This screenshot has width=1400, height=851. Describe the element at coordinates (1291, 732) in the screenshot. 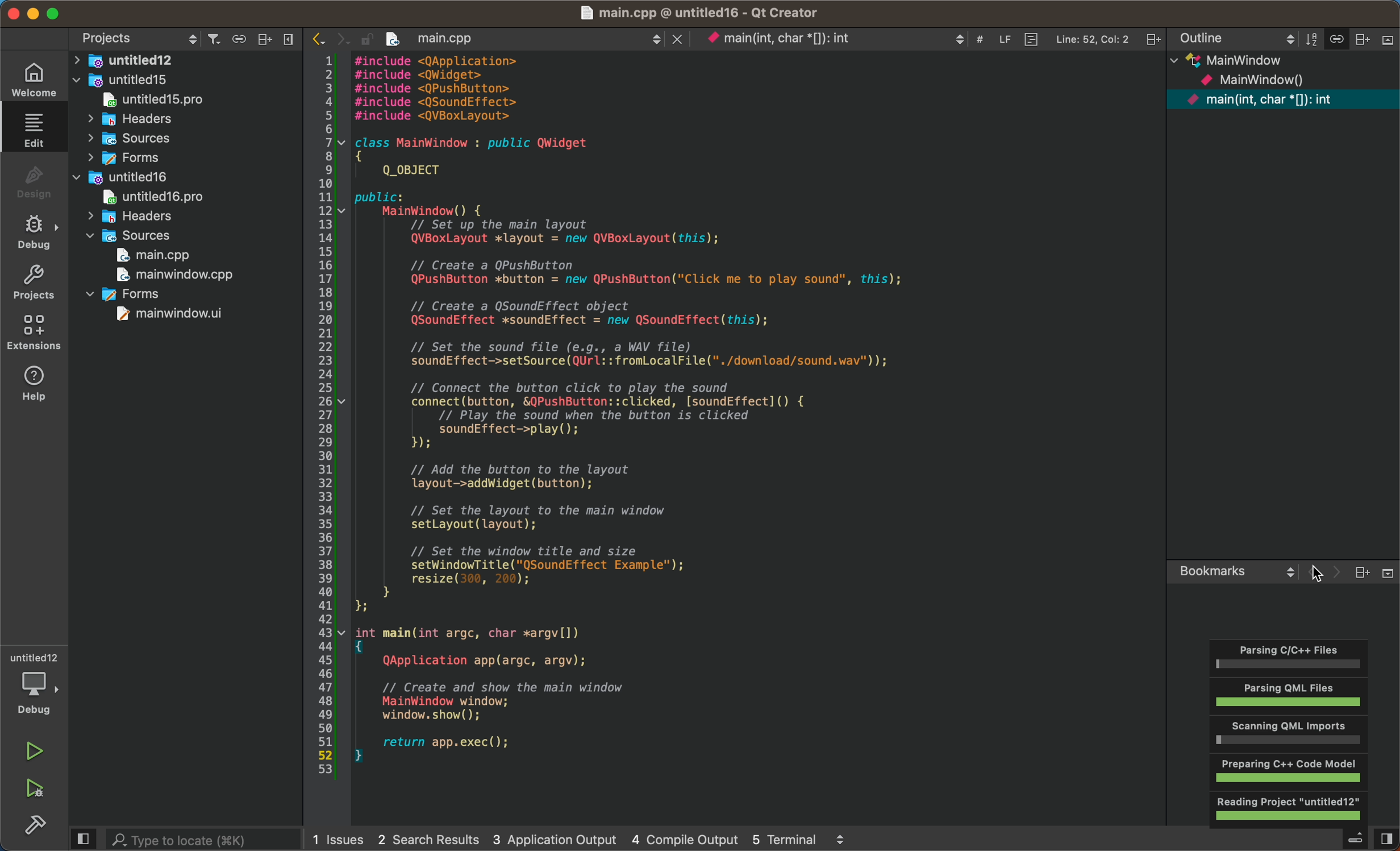

I see `running and setup` at that location.